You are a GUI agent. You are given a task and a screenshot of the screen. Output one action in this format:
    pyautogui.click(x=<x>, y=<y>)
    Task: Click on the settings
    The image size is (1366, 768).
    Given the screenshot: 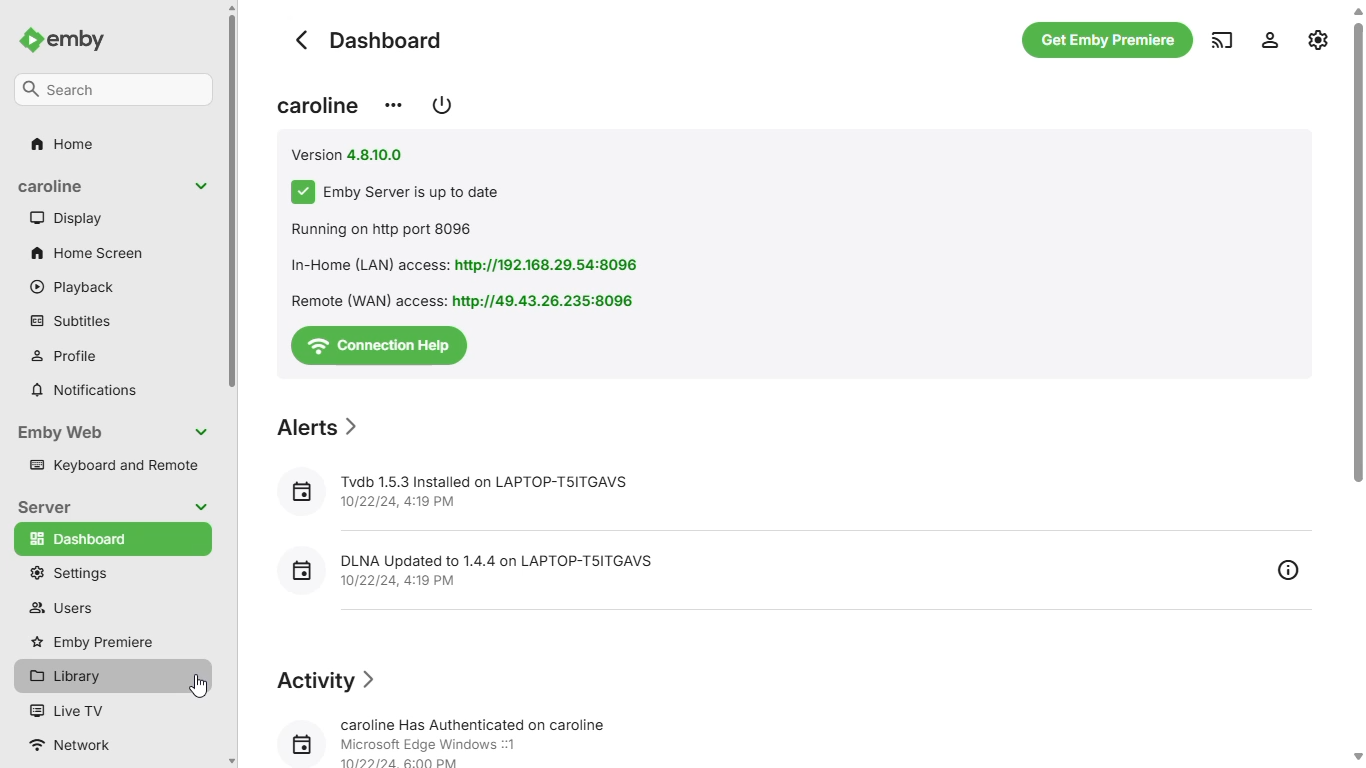 What is the action you would take?
    pyautogui.click(x=66, y=573)
    